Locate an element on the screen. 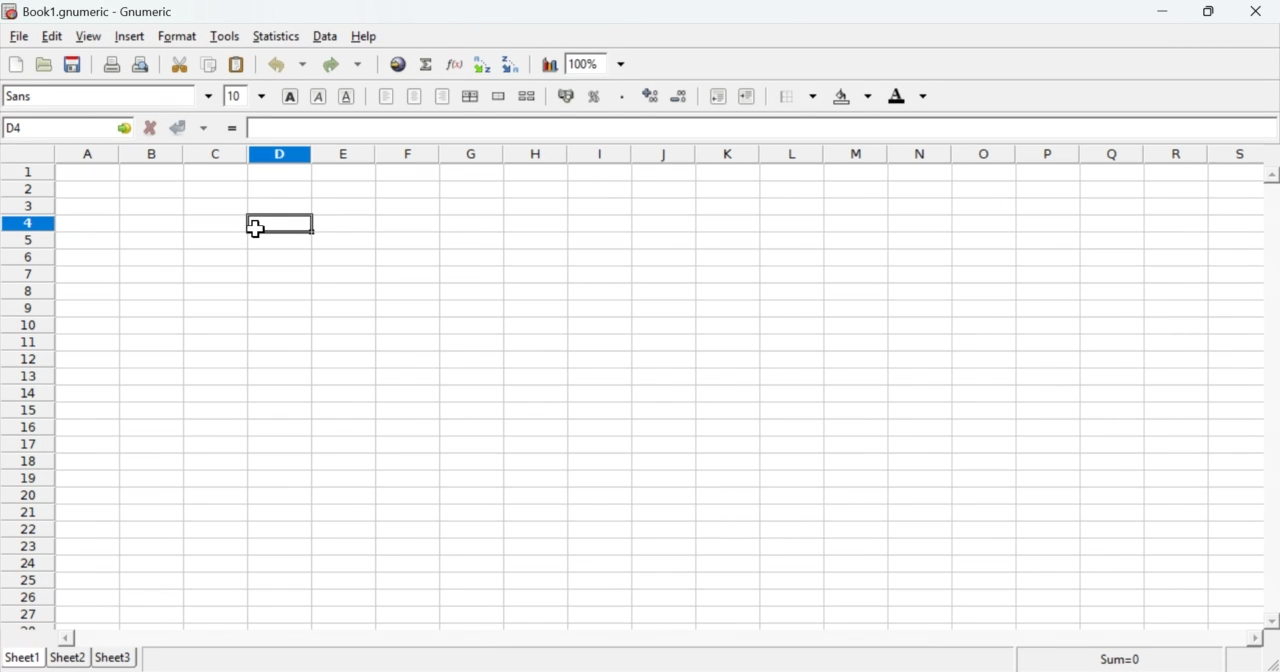  Undo is located at coordinates (287, 65).